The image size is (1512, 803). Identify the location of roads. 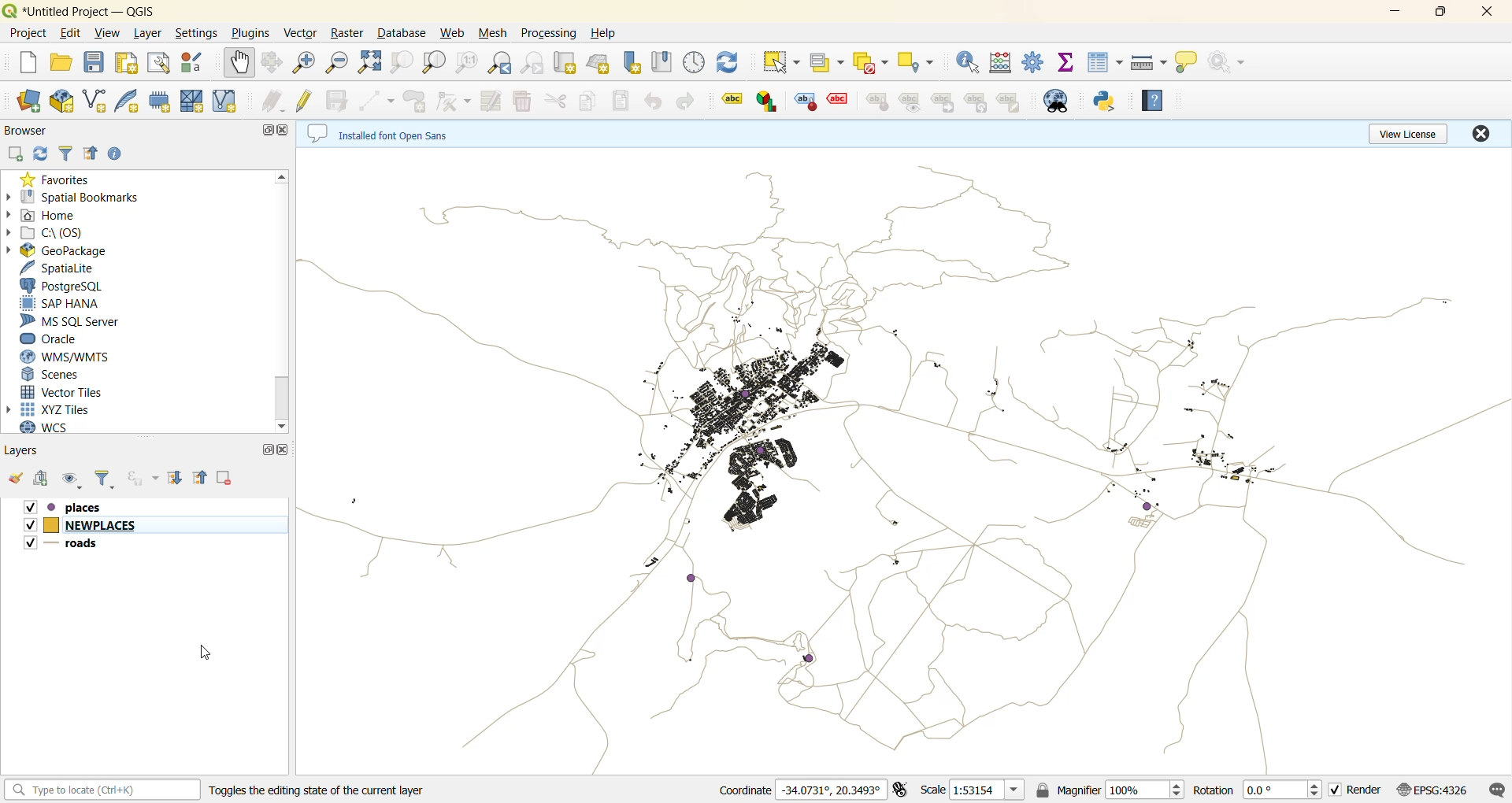
(74, 544).